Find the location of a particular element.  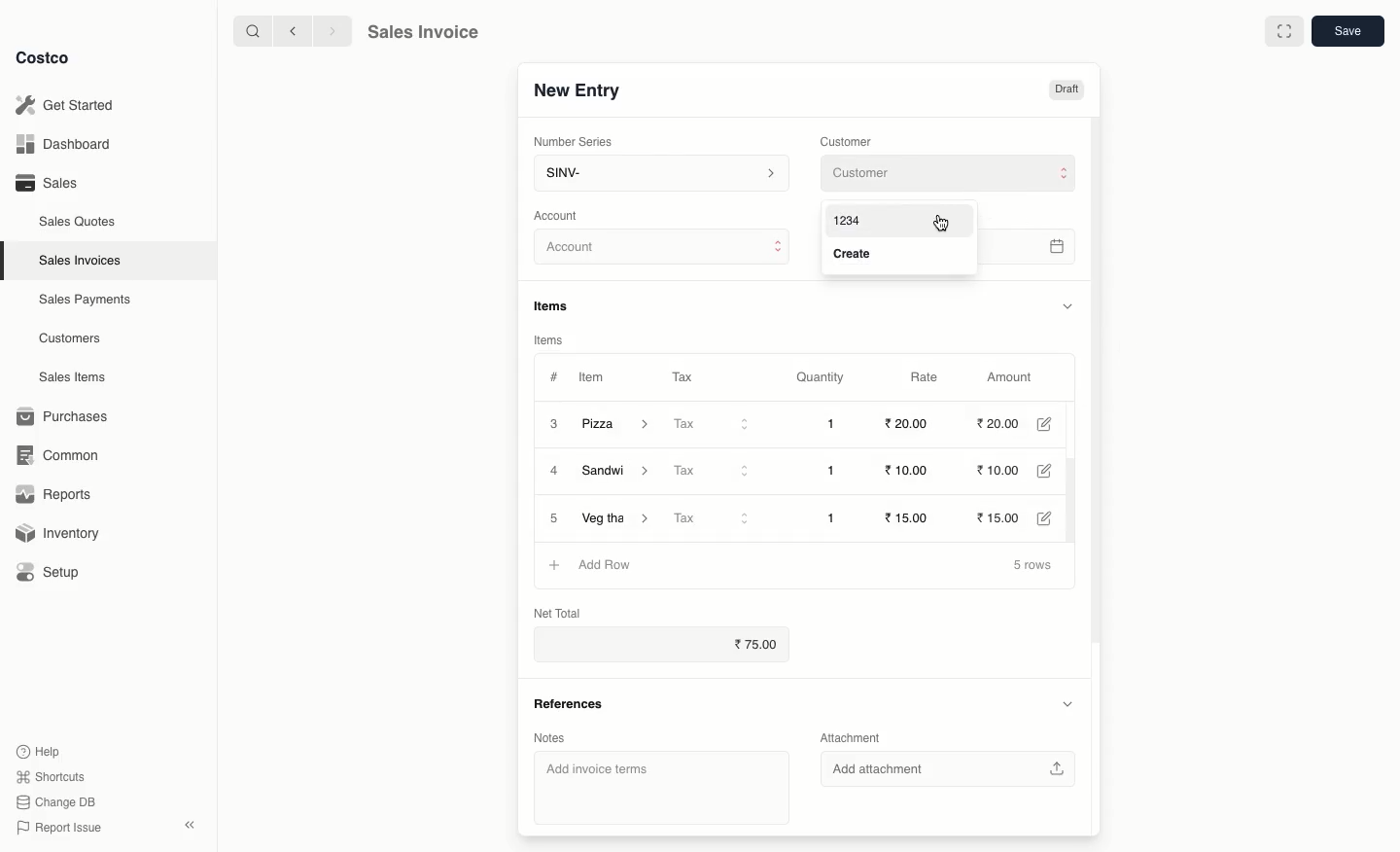

Feb 26, 2025 13:36:07 is located at coordinates (1053, 247).